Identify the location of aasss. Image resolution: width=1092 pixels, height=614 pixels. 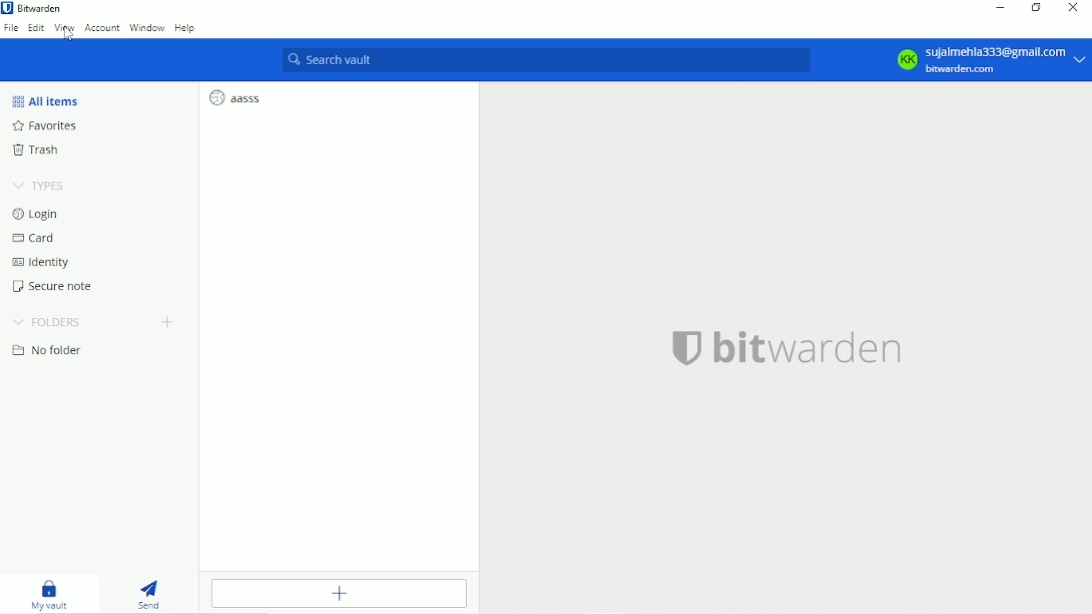
(234, 97).